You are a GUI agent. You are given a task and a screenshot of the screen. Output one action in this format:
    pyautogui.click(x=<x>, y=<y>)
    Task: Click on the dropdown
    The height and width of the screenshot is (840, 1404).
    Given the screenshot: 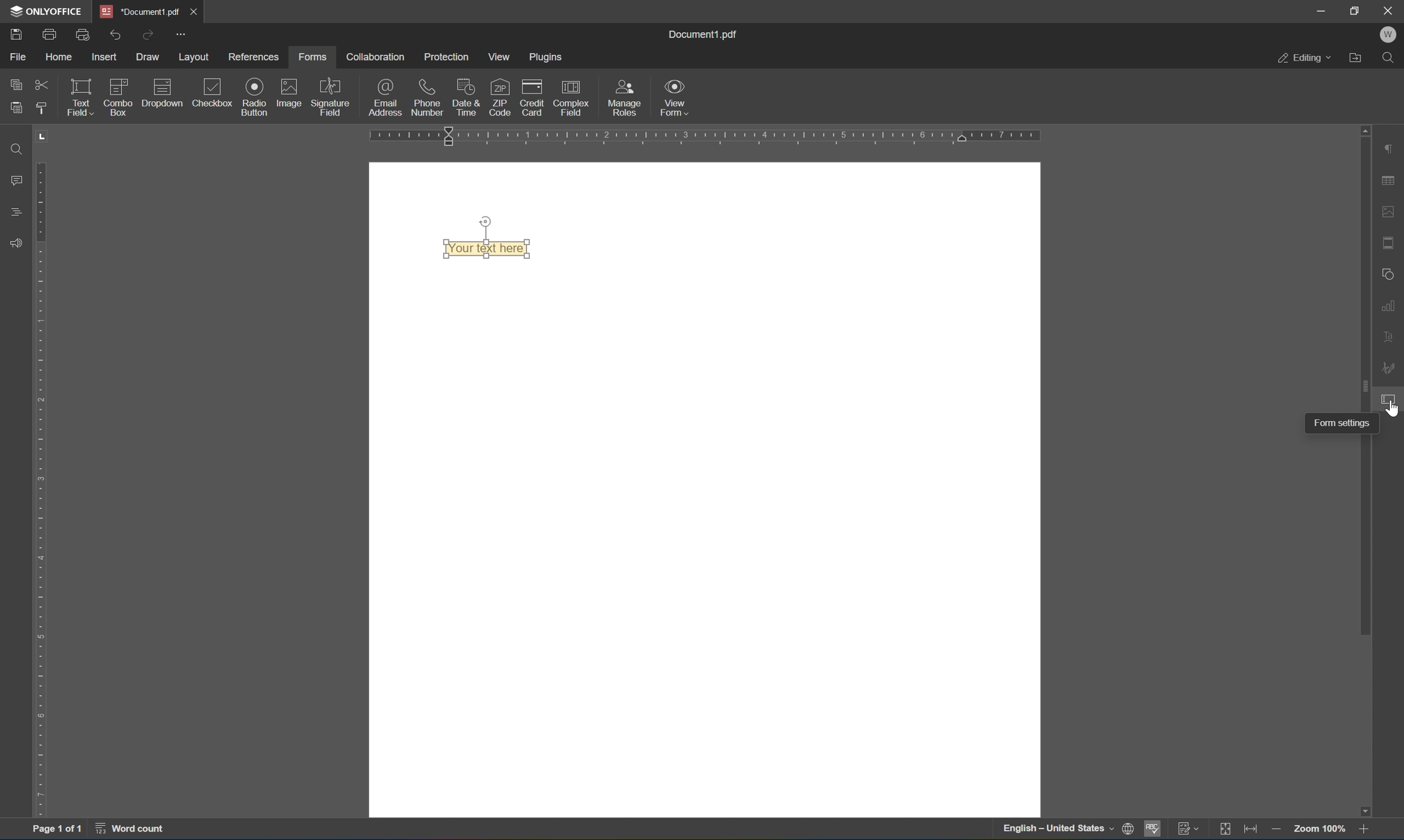 What is the action you would take?
    pyautogui.click(x=164, y=90)
    